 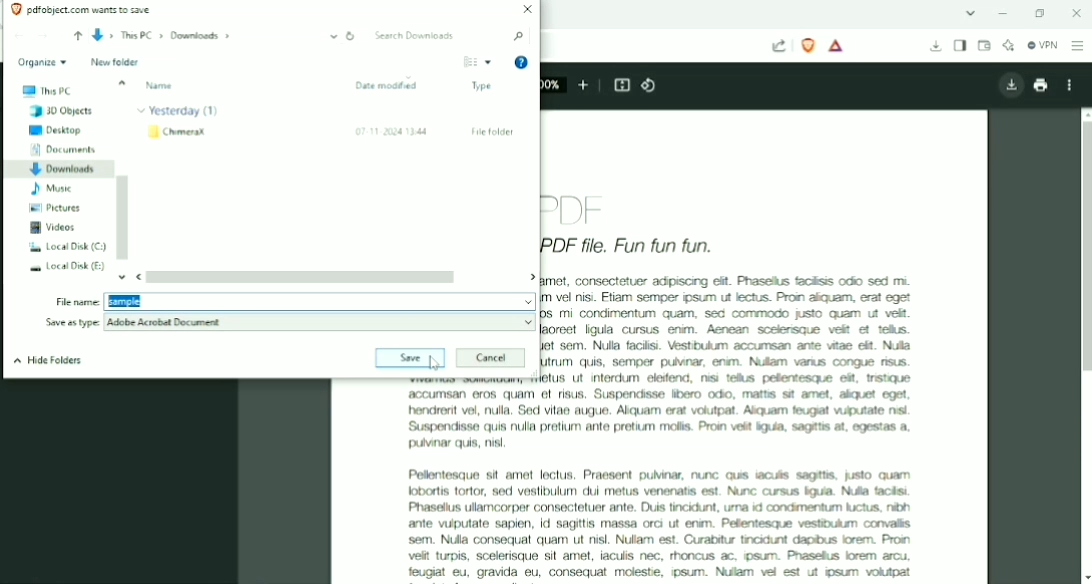 What do you see at coordinates (1072, 85) in the screenshot?
I see `More actions` at bounding box center [1072, 85].